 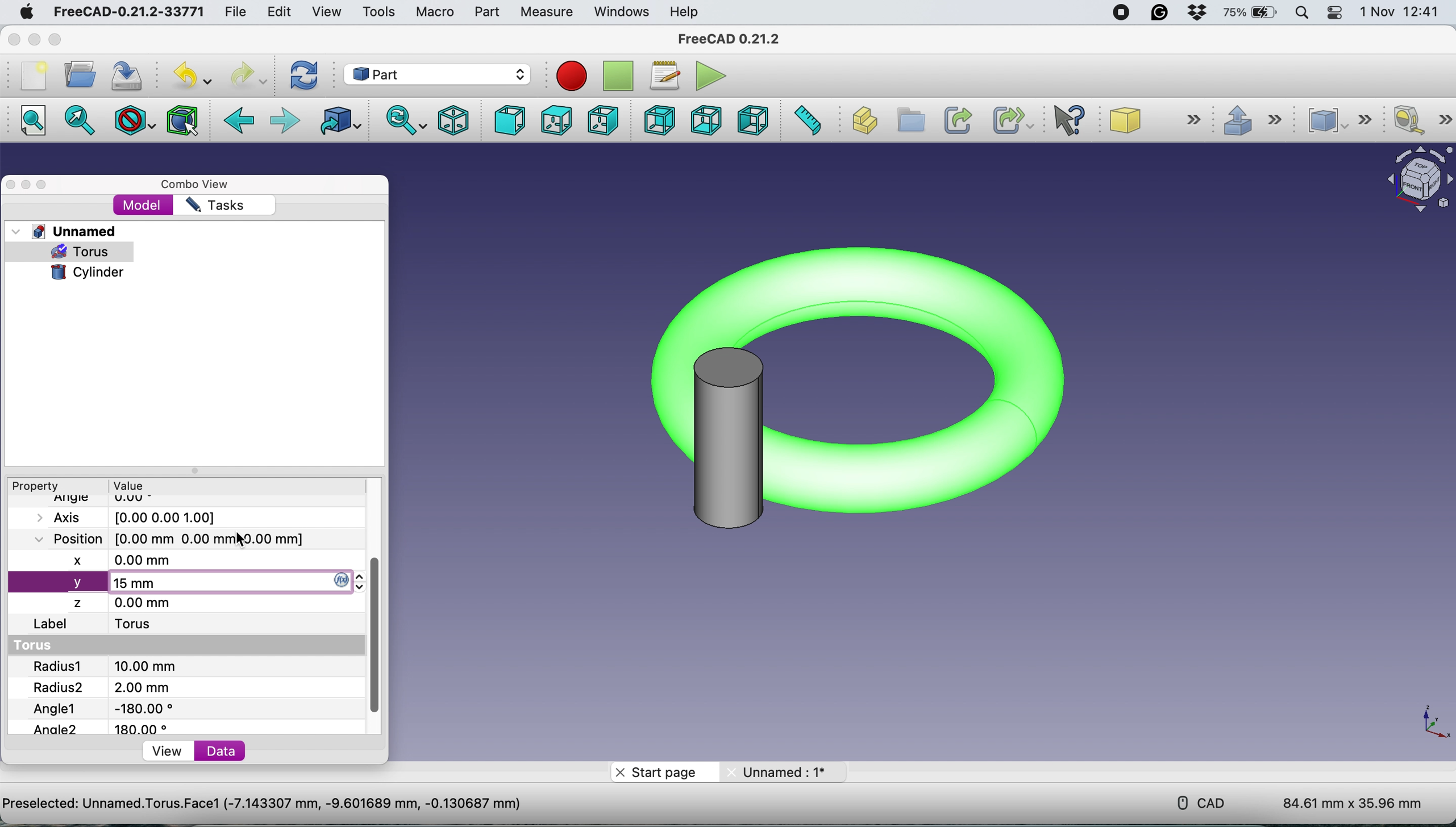 What do you see at coordinates (224, 751) in the screenshot?
I see `data` at bounding box center [224, 751].